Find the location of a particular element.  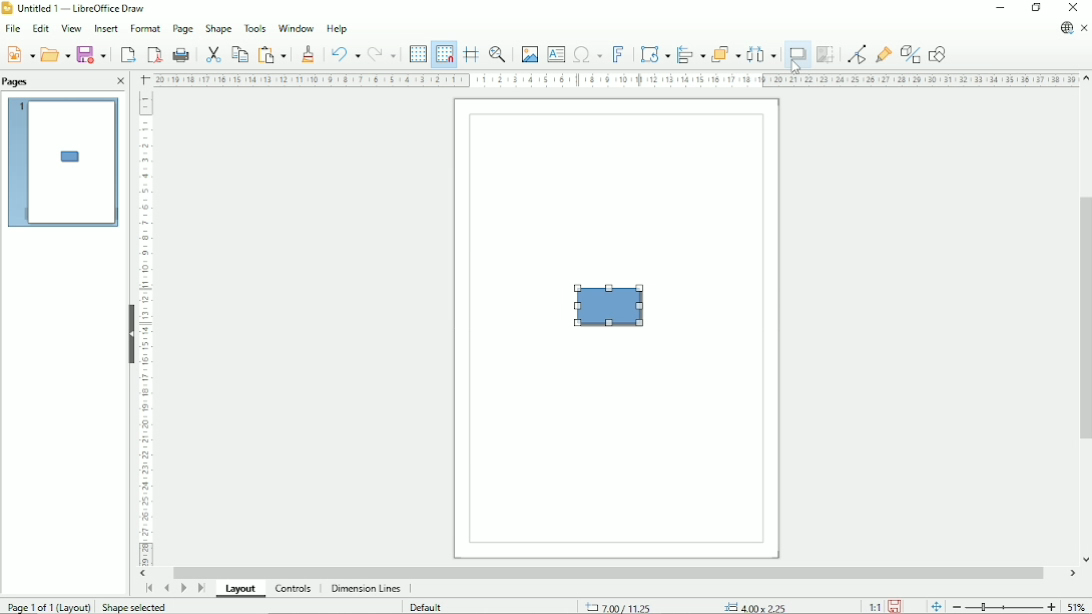

Insert image is located at coordinates (529, 54).